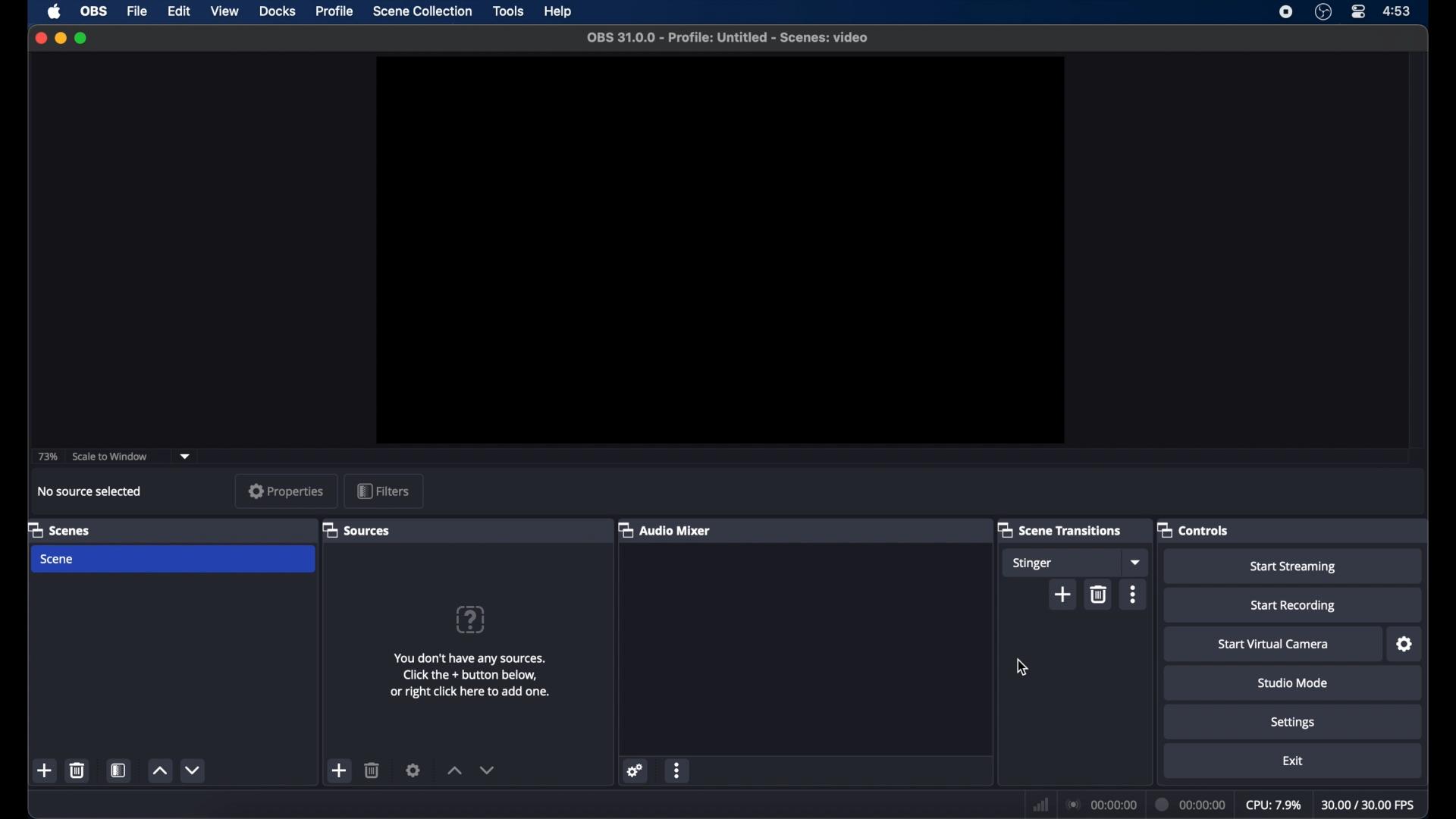 The width and height of the screenshot is (1456, 819). Describe the element at coordinates (120, 770) in the screenshot. I see `scene filters` at that location.